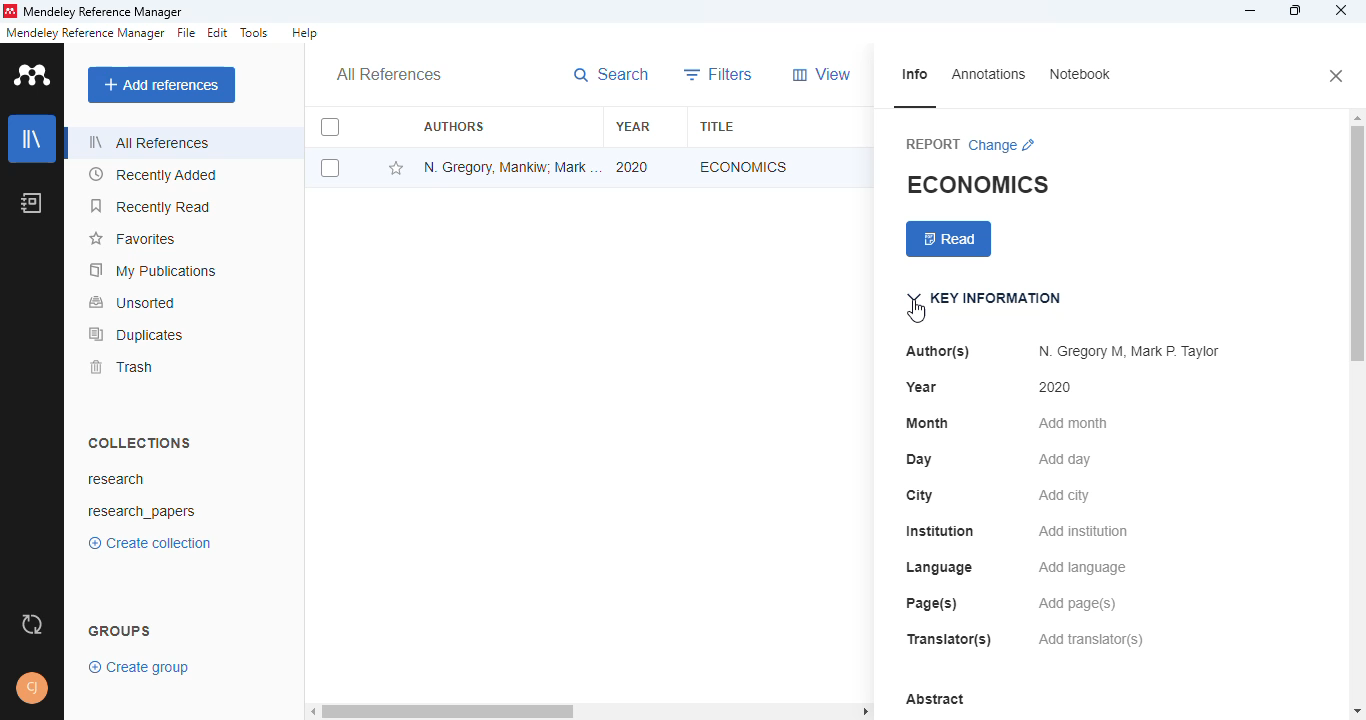 This screenshot has height=720, width=1366. What do you see at coordinates (162, 84) in the screenshot?
I see `add references` at bounding box center [162, 84].